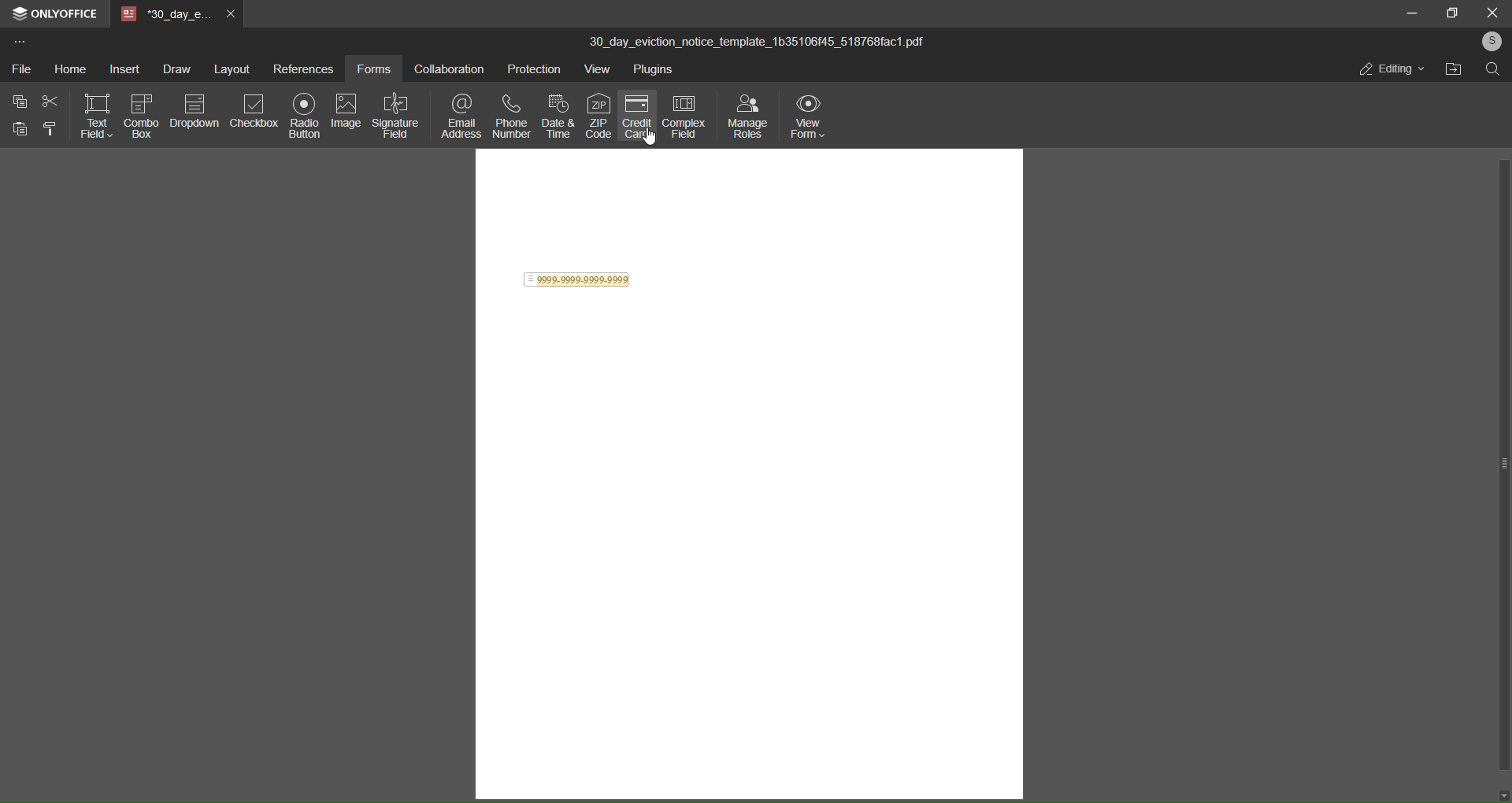  I want to click on format, so click(50, 130).